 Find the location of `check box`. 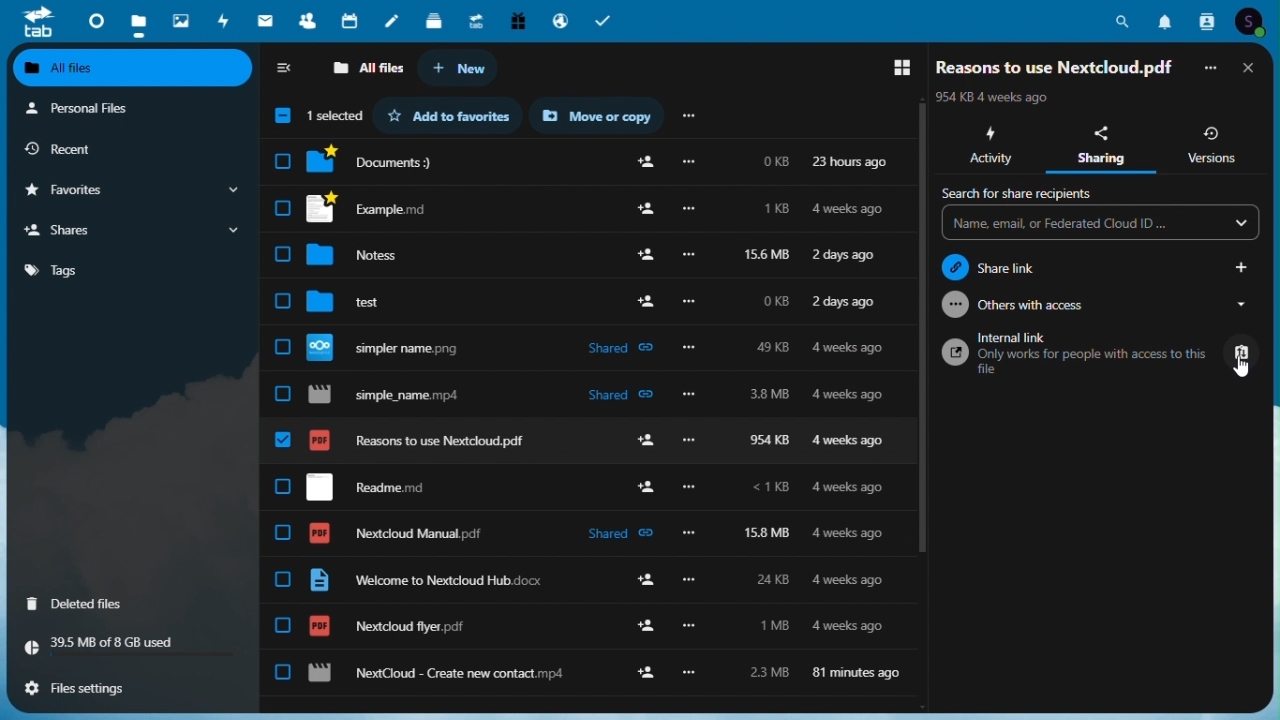

check box is located at coordinates (283, 302).